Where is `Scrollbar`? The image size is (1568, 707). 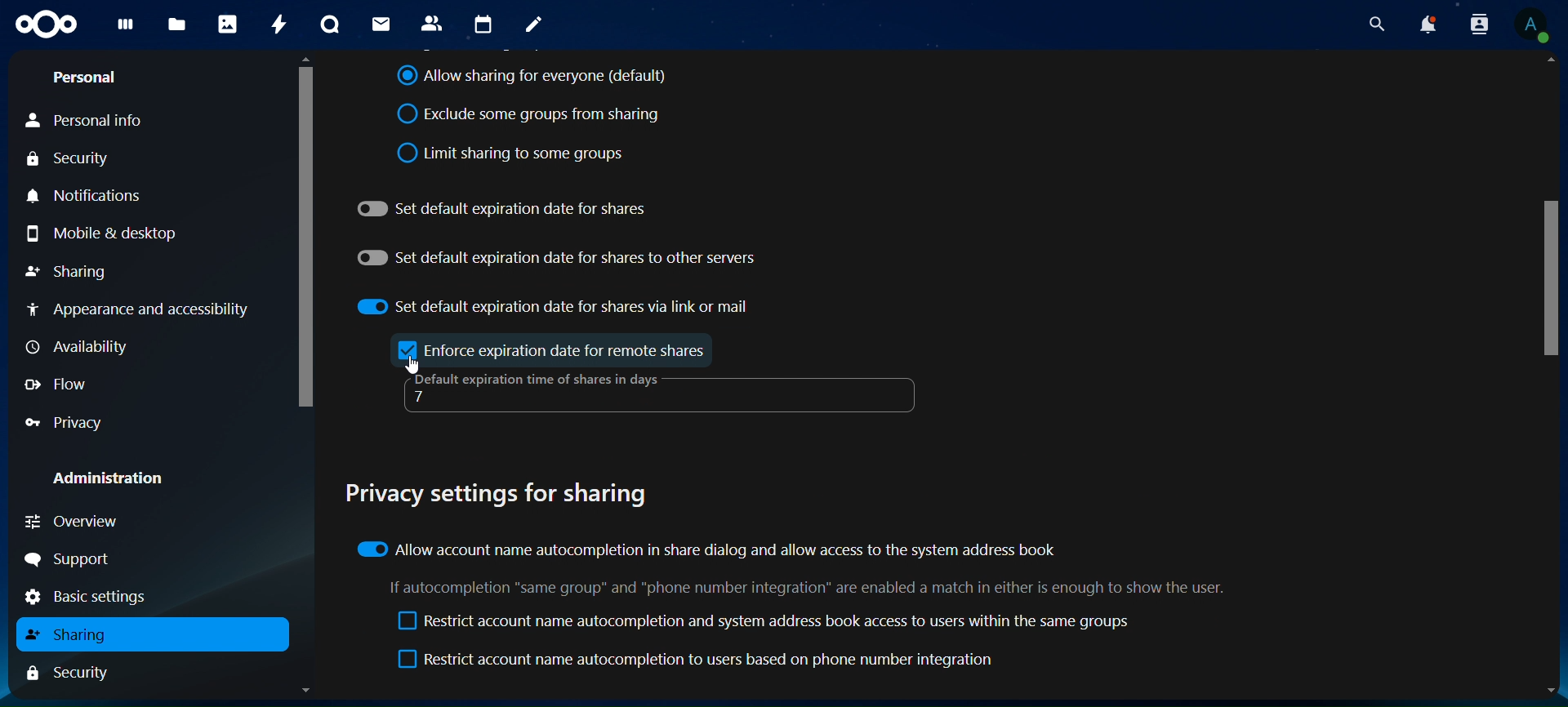 Scrollbar is located at coordinates (1551, 376).